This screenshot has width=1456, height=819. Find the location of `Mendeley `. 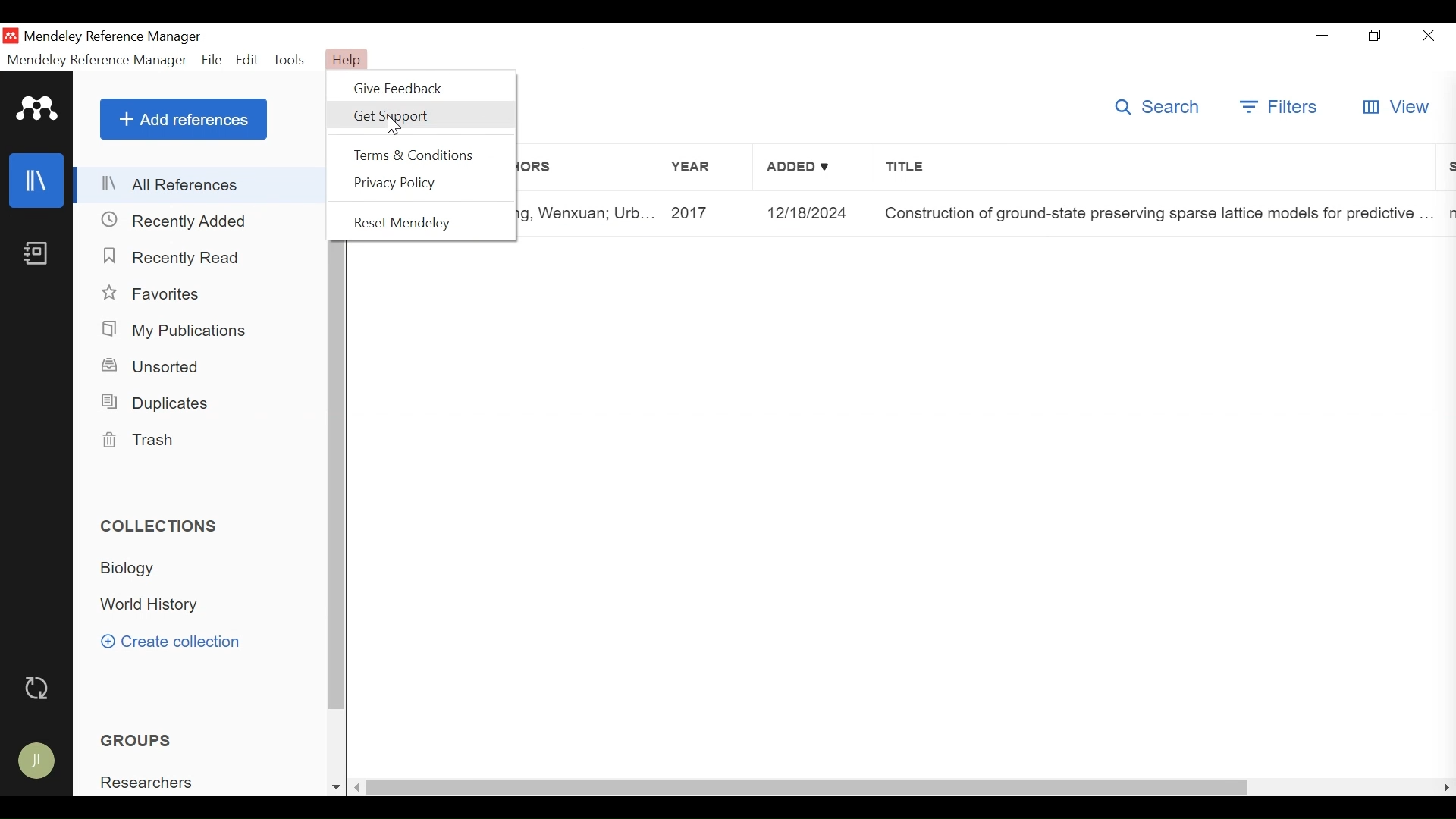

Mendeley  is located at coordinates (35, 109).